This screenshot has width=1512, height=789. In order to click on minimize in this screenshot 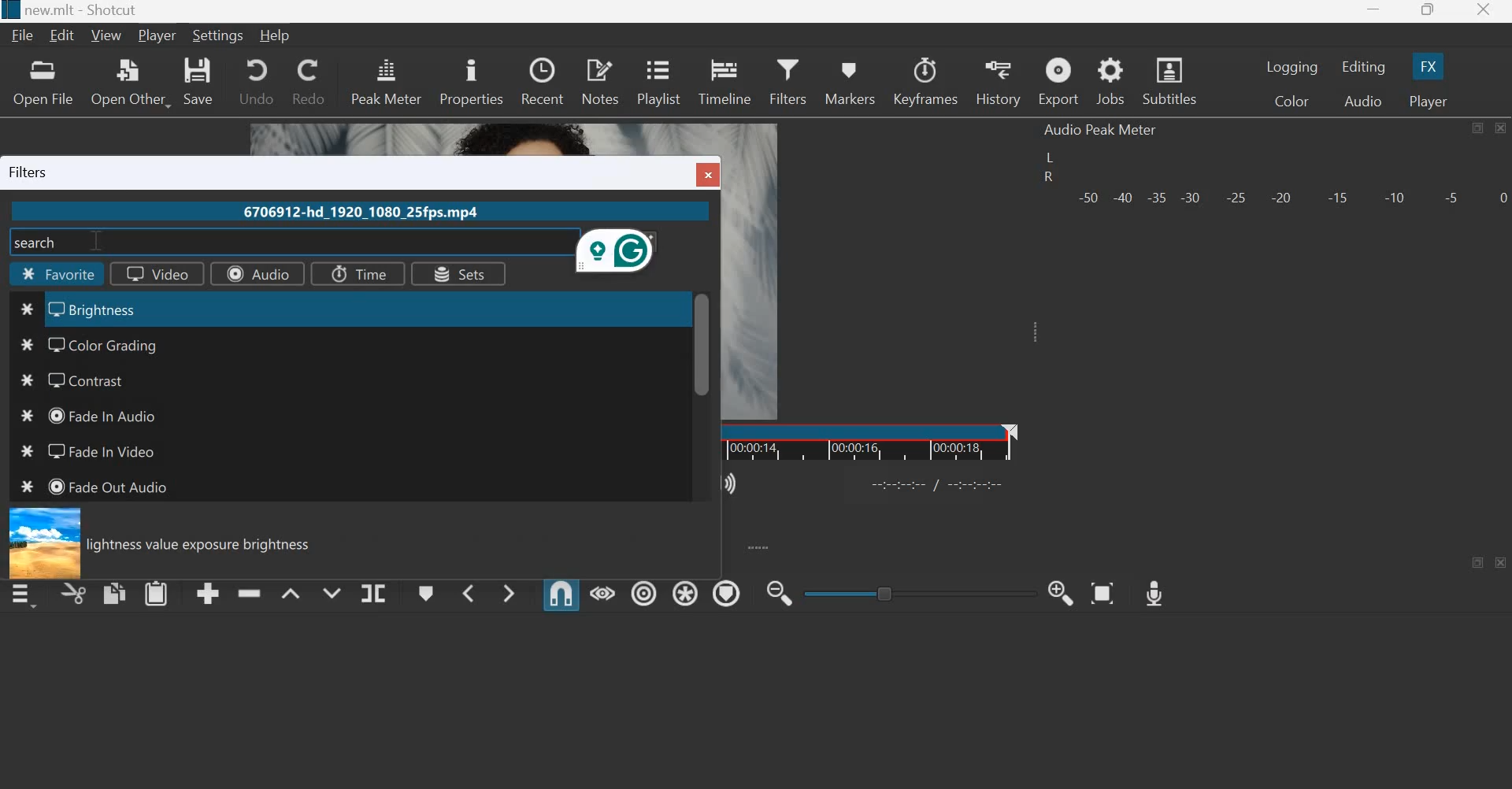, I will do `click(1373, 13)`.